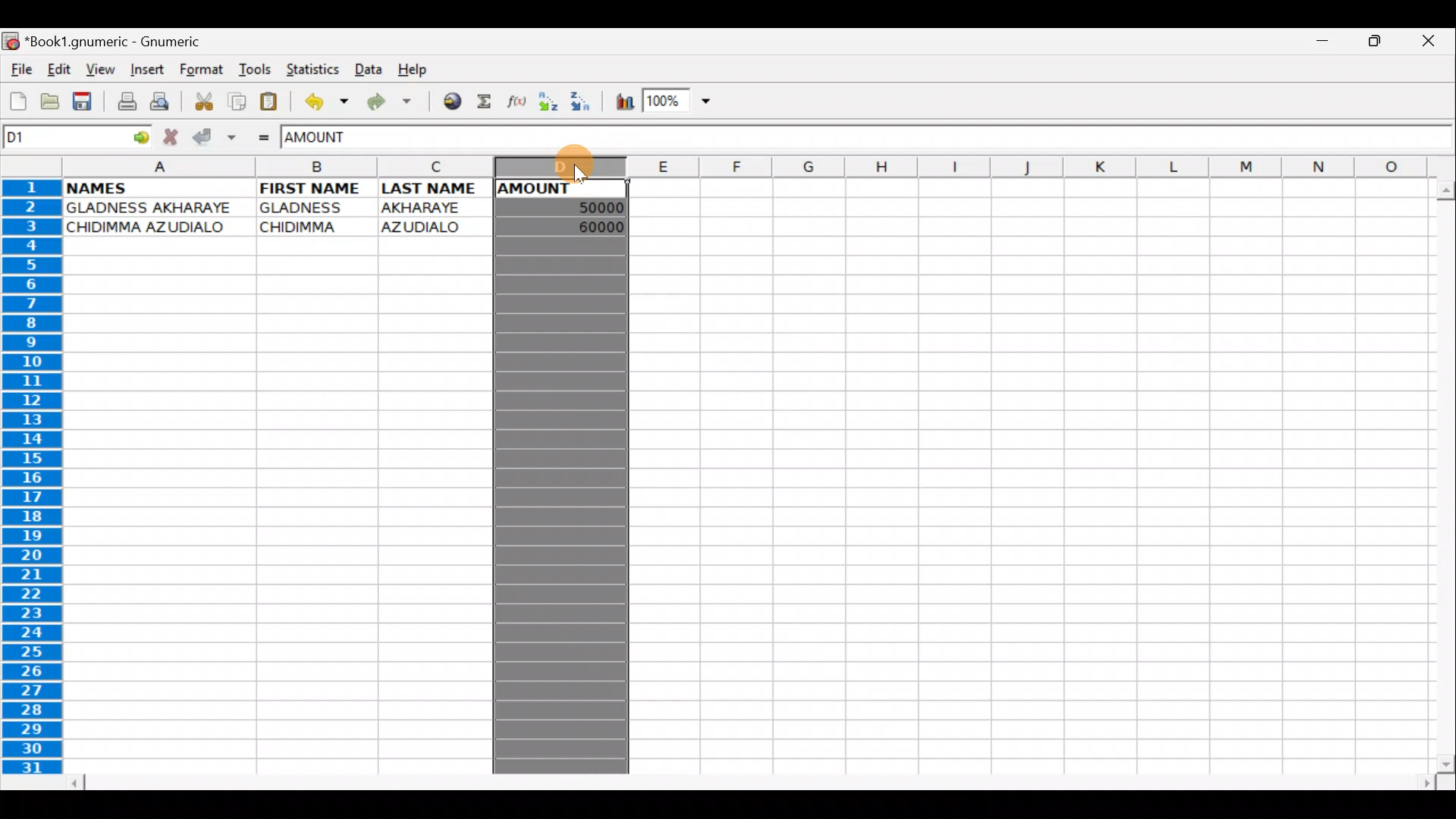 This screenshot has height=819, width=1456. I want to click on Zoom, so click(679, 102).